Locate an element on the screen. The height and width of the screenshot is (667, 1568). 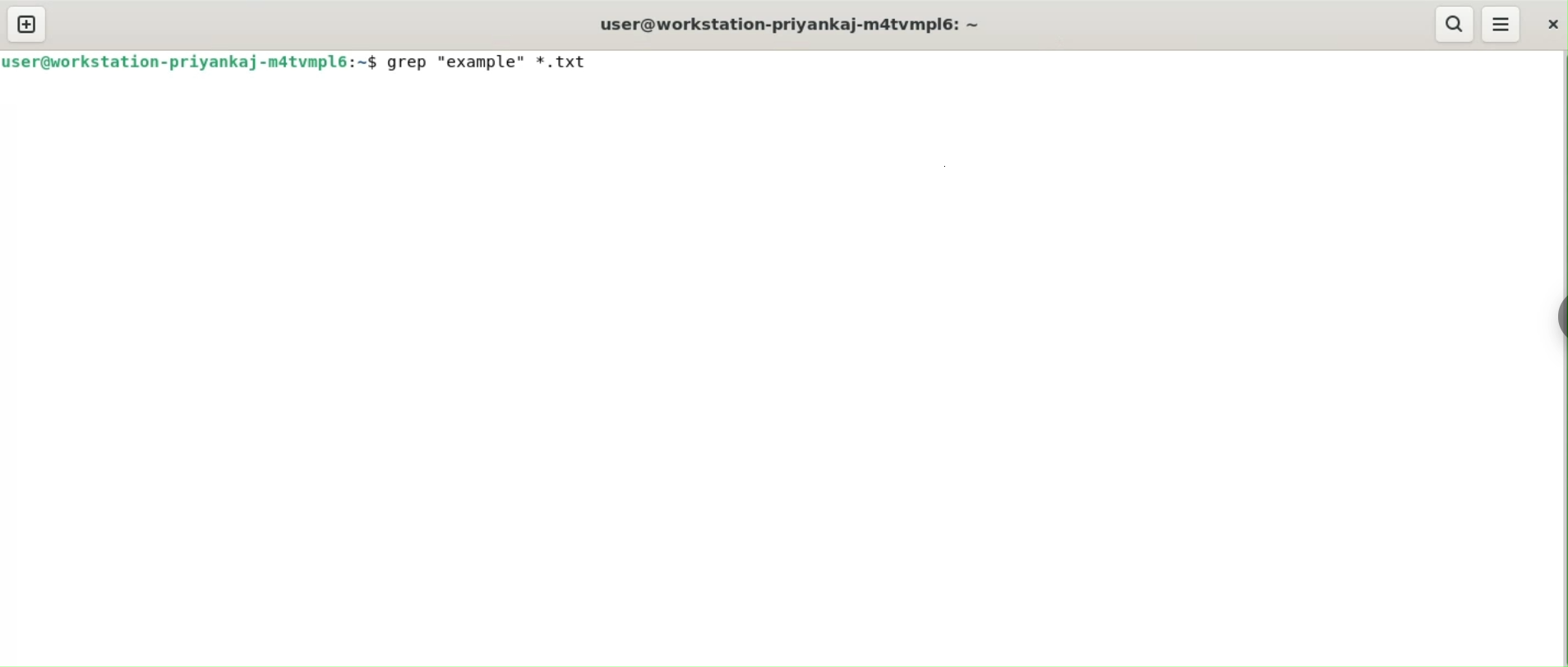
sidebar is located at coordinates (1560, 315).